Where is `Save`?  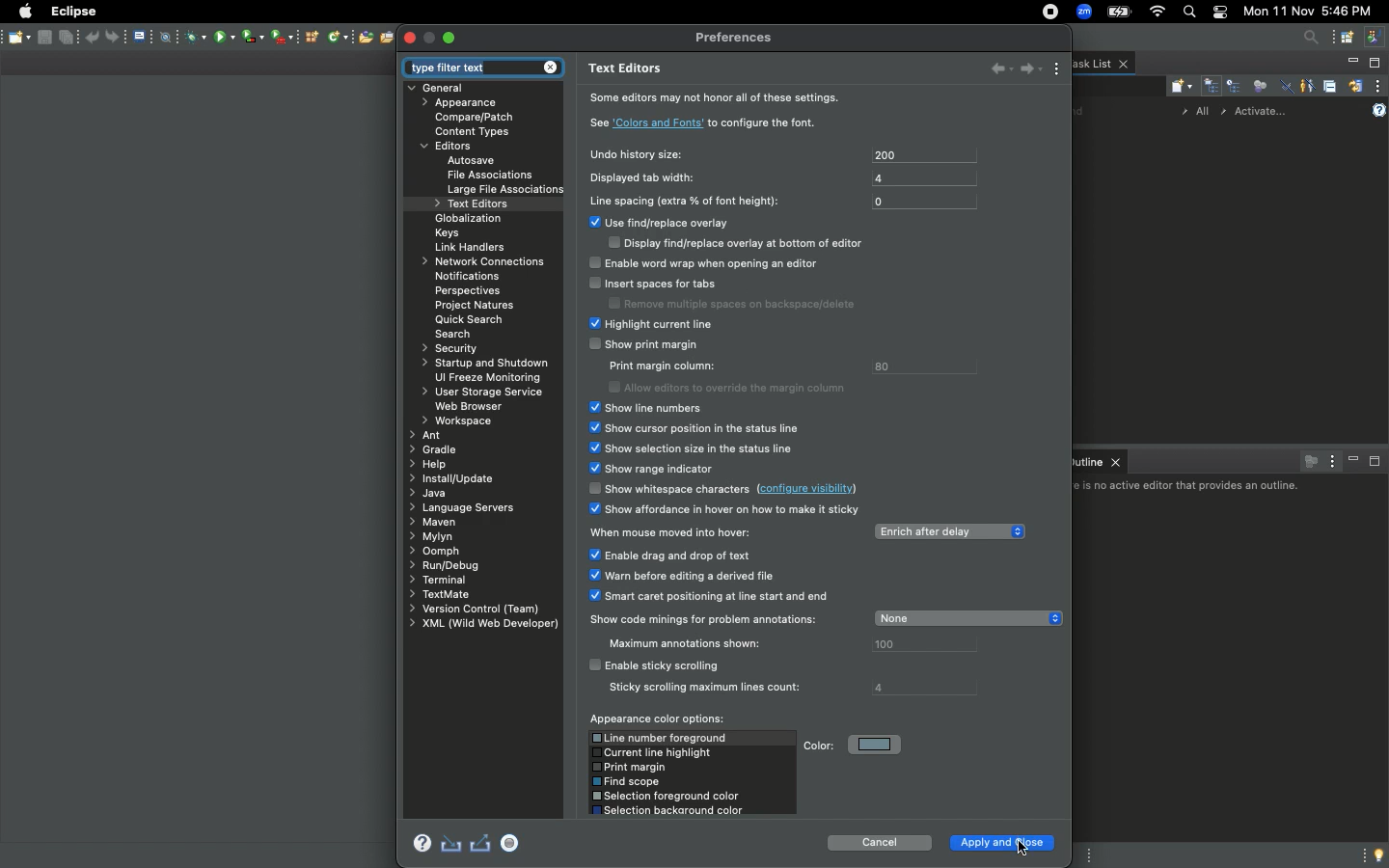
Save is located at coordinates (17, 38).